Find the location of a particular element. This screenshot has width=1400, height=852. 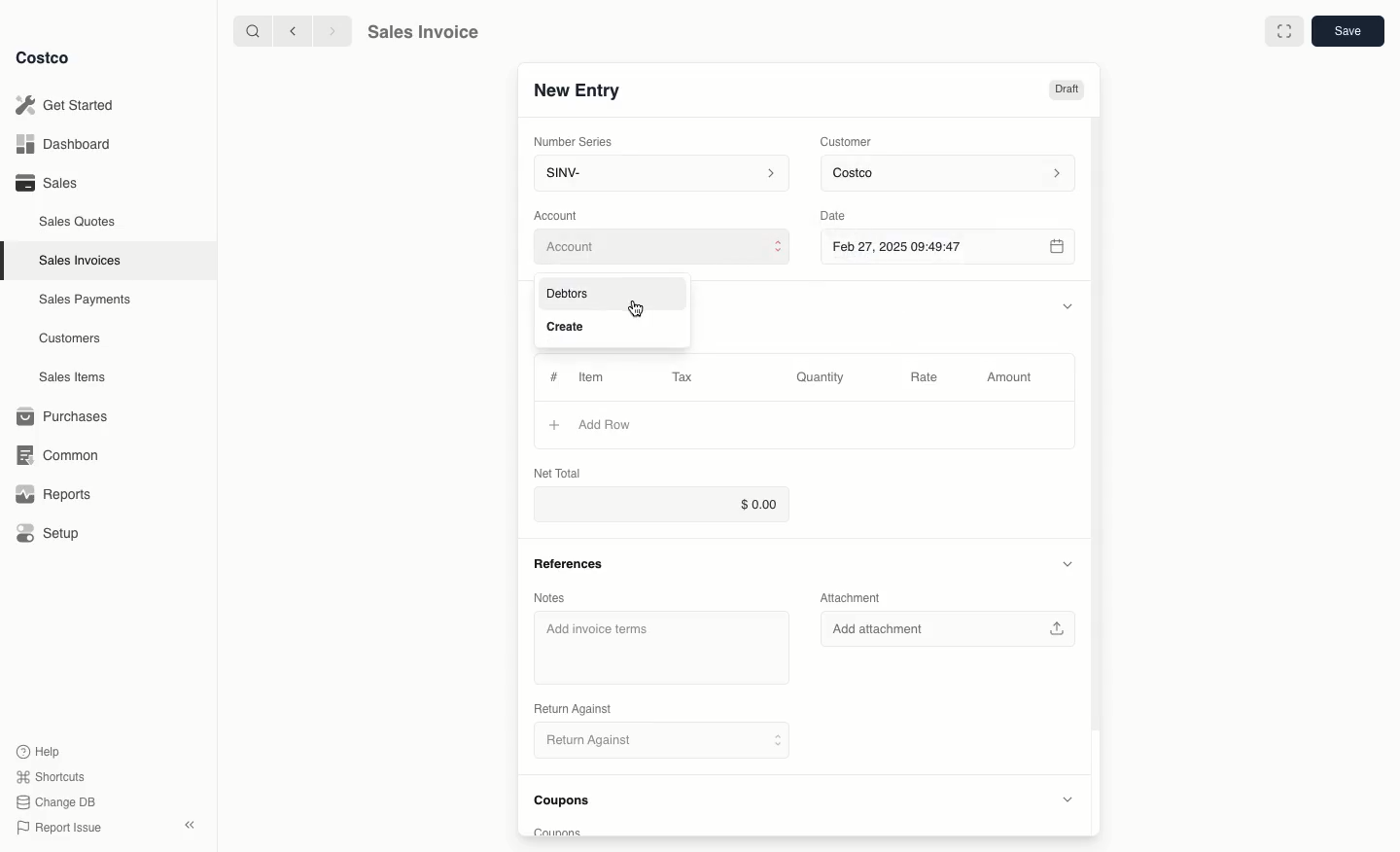

‘Return Against is located at coordinates (571, 709).